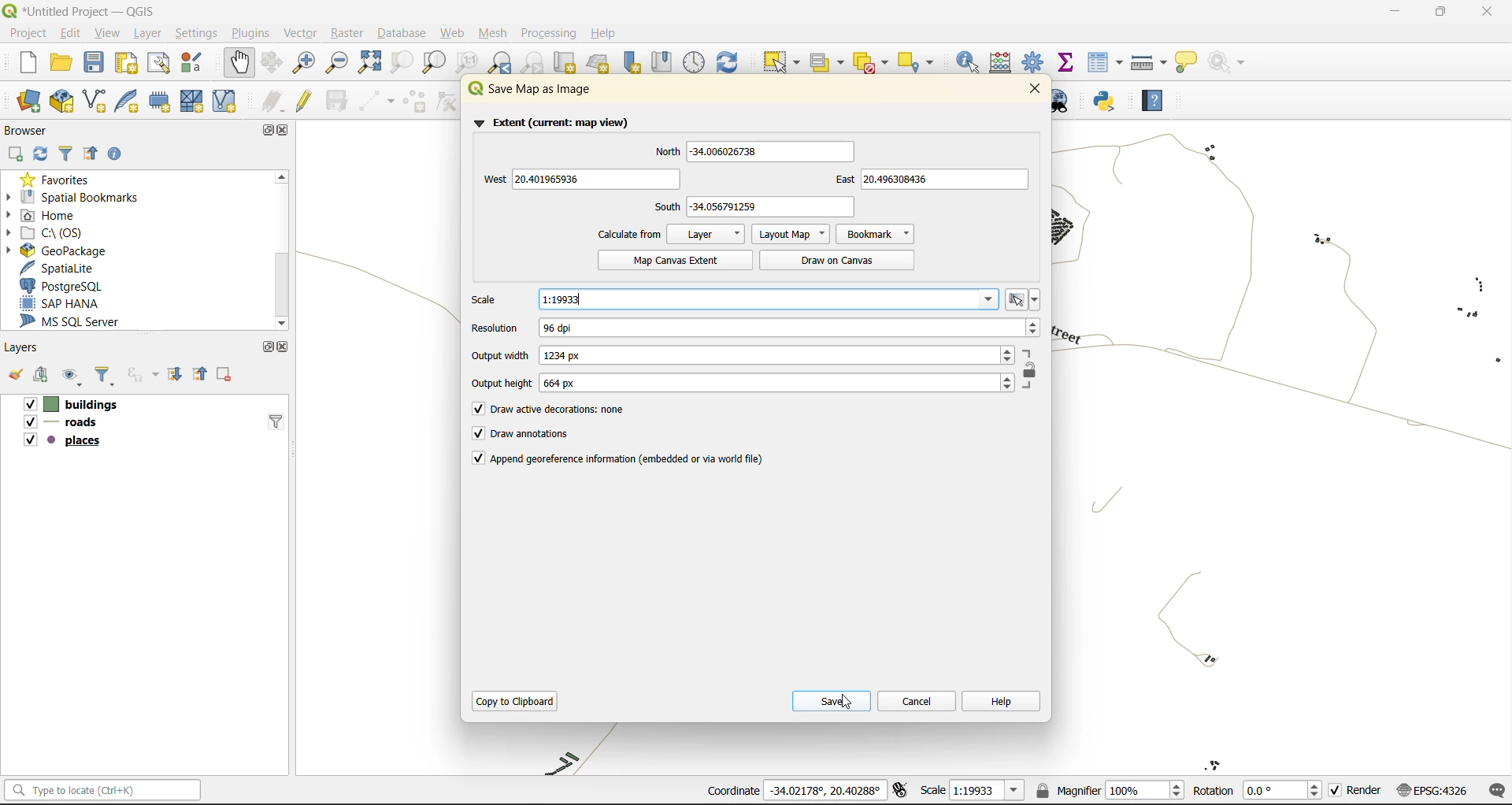  I want to click on add, so click(39, 376).